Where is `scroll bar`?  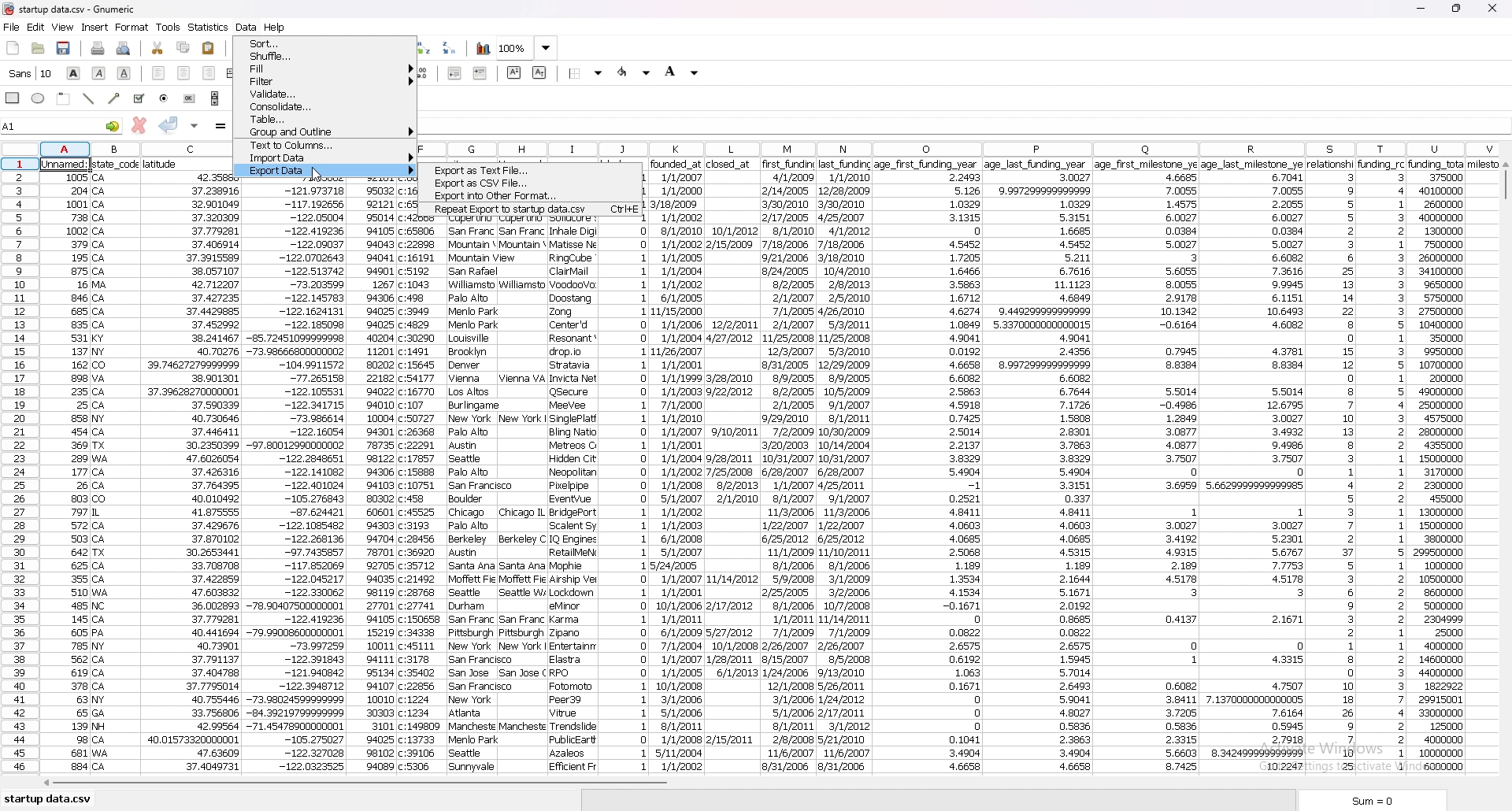 scroll bar is located at coordinates (763, 786).